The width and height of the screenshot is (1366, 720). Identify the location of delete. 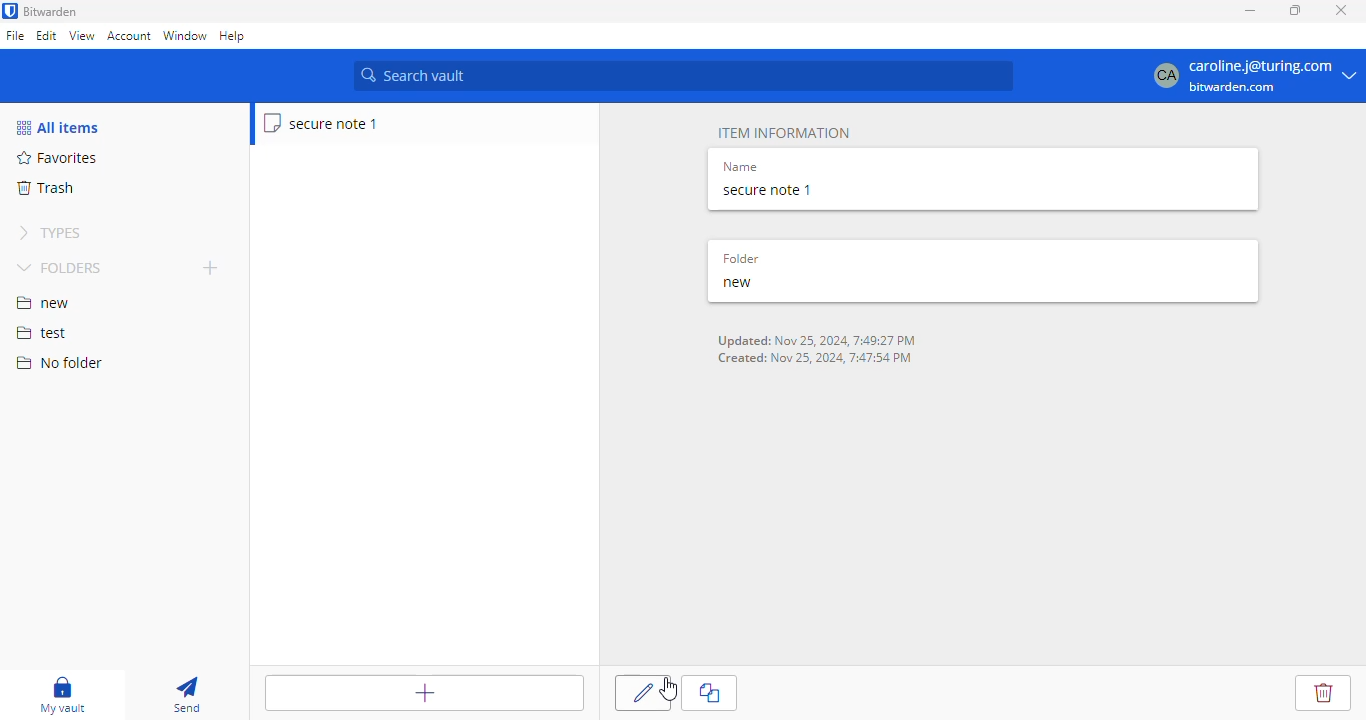
(1324, 693).